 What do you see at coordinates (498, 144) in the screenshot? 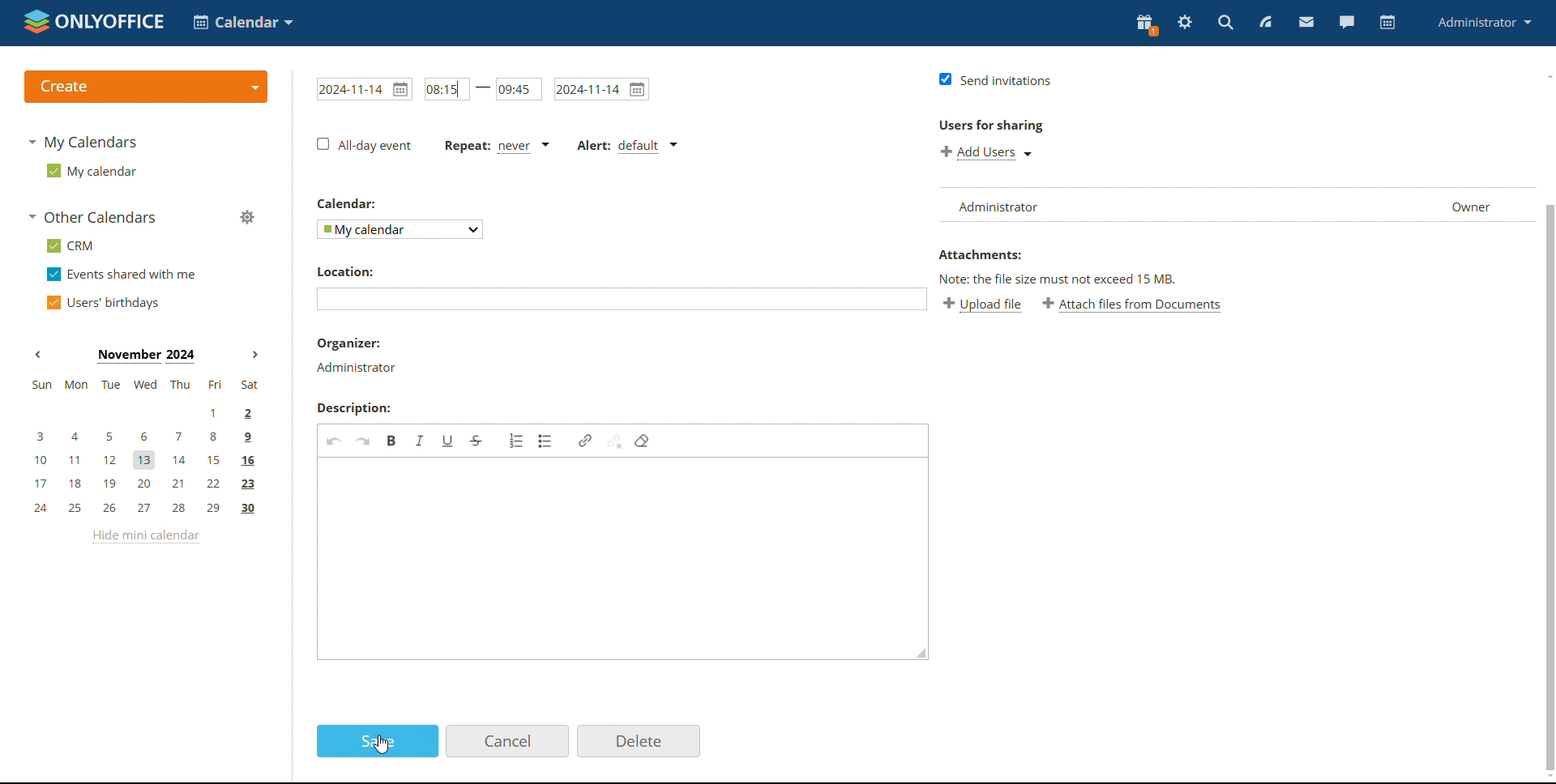
I see `event repetition` at bounding box center [498, 144].